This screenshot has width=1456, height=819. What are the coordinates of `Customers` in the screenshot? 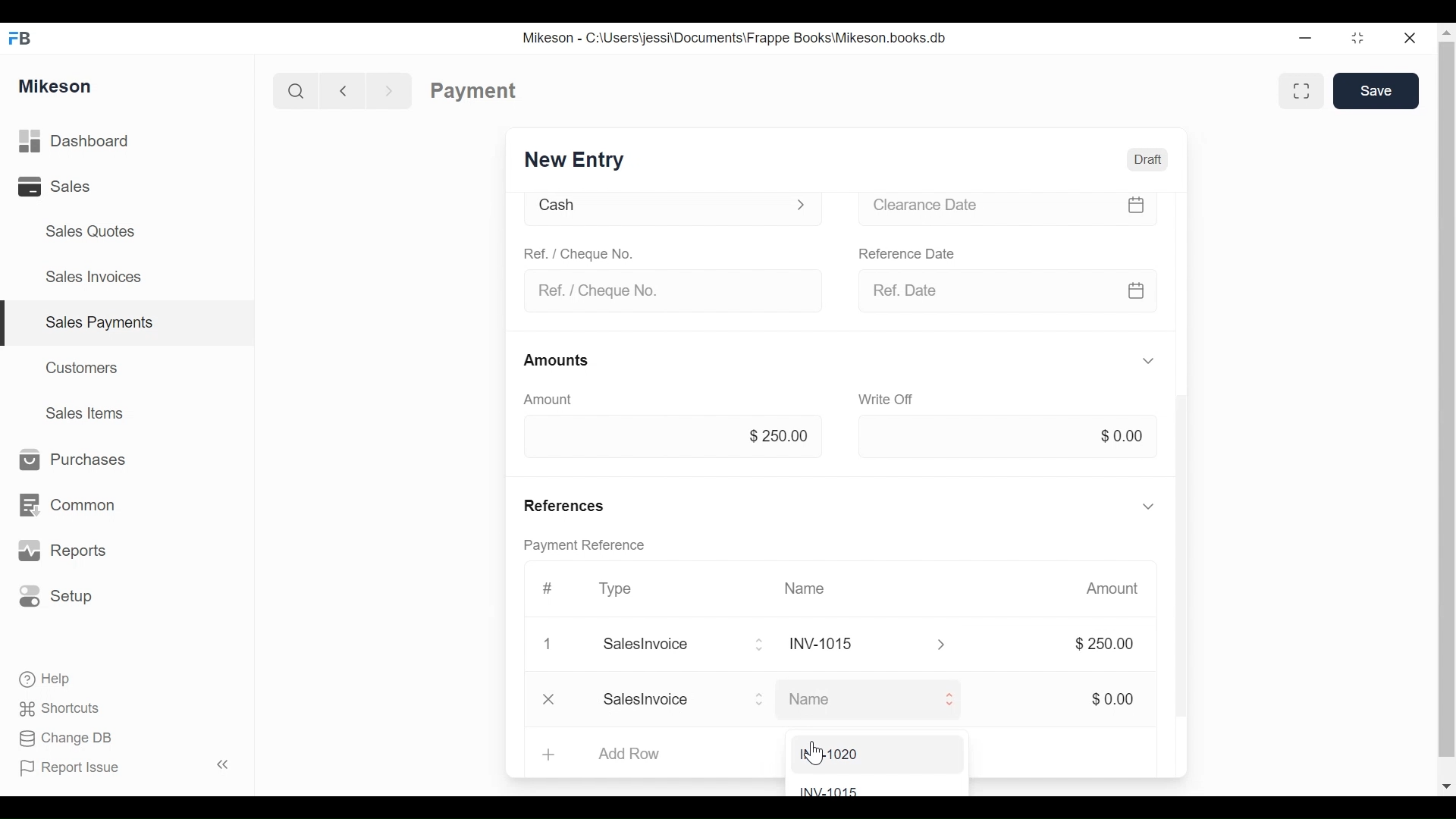 It's located at (86, 366).